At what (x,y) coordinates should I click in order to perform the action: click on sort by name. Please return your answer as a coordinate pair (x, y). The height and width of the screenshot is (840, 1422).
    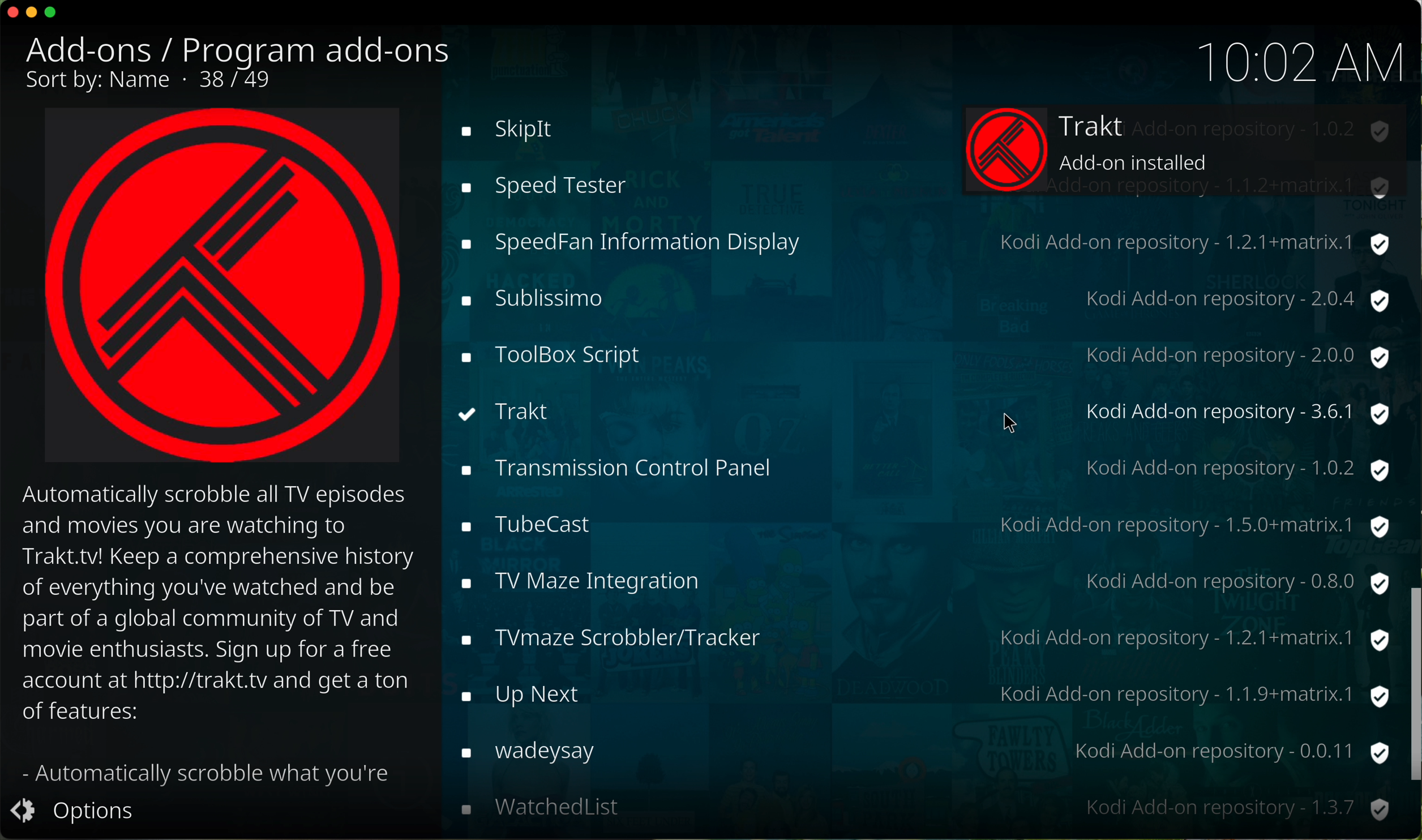
    Looking at the image, I should click on (105, 84).